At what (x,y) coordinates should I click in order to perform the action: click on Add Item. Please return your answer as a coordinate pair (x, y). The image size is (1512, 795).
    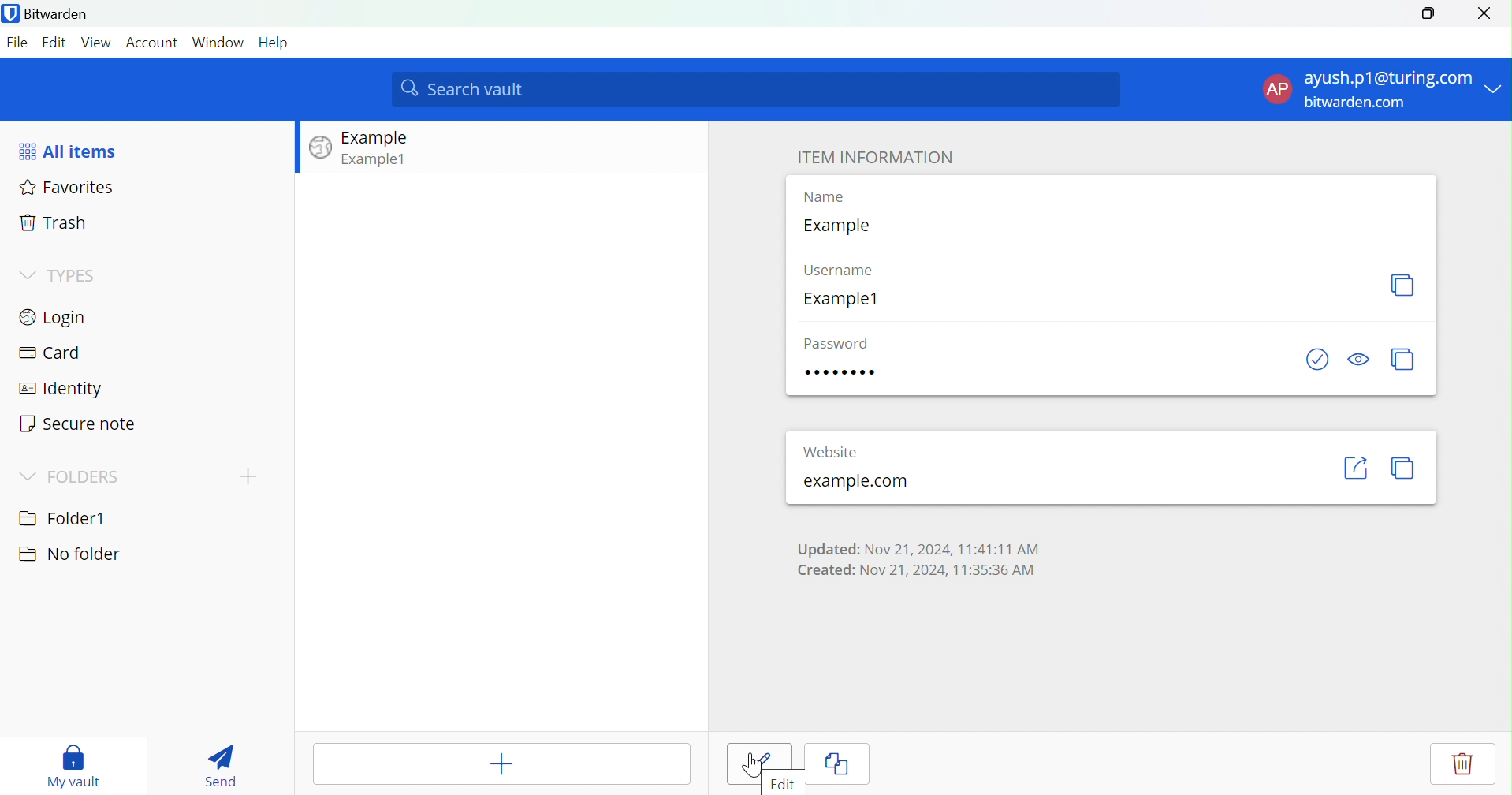
    Looking at the image, I should click on (503, 763).